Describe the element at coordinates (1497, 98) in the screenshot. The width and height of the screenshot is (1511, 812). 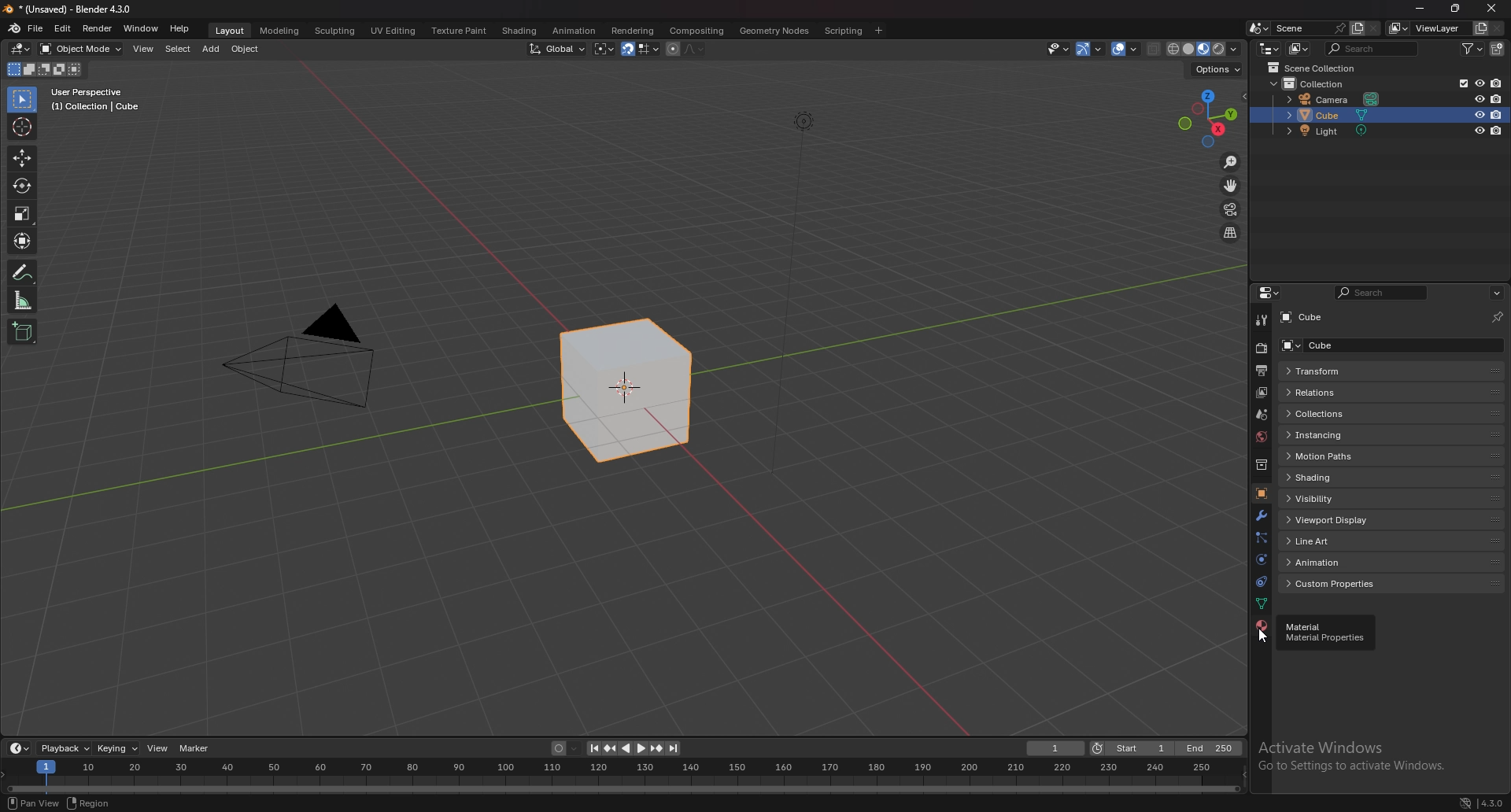
I see `disable in renders` at that location.